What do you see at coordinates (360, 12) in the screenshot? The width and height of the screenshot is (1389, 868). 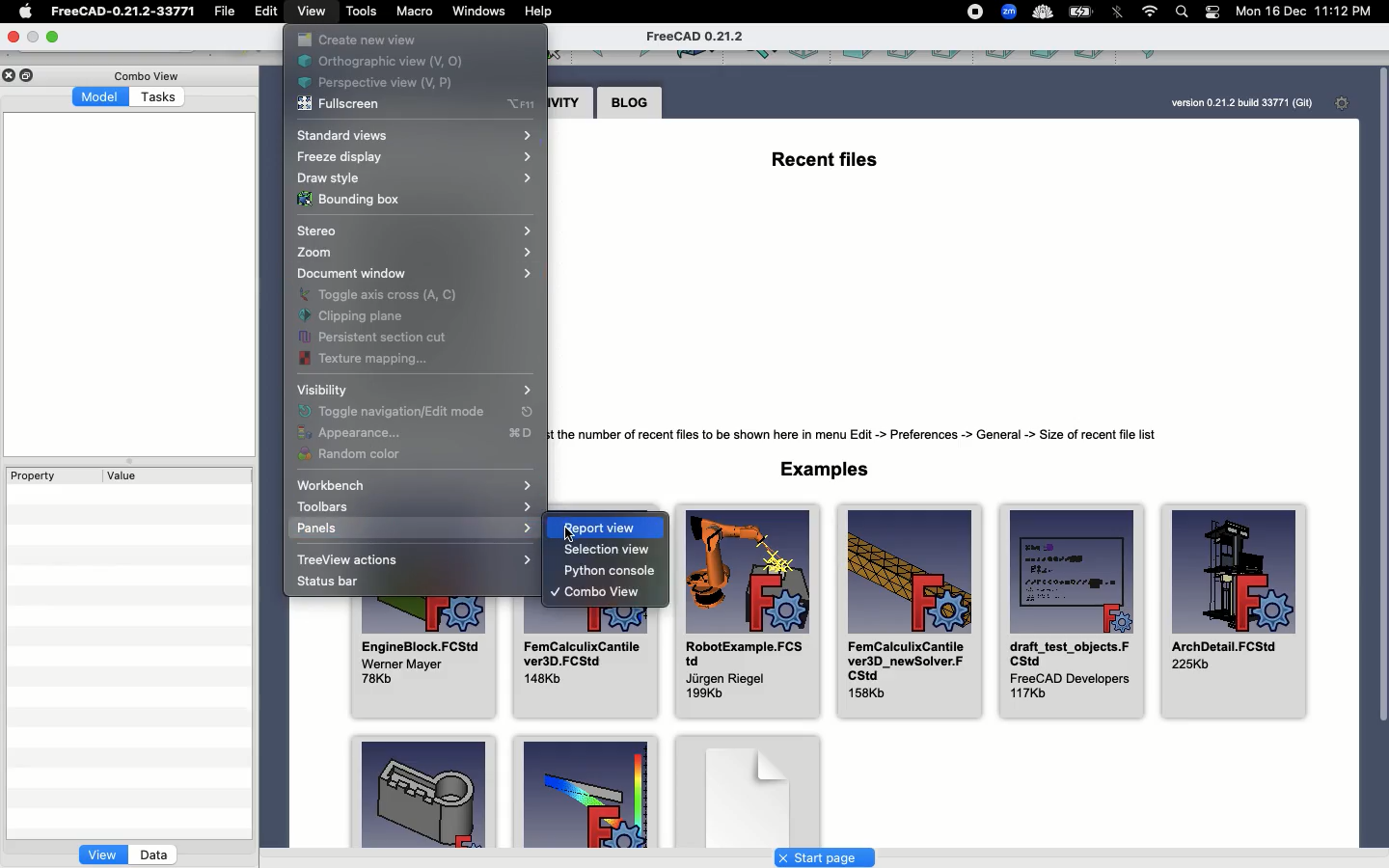 I see `Tools` at bounding box center [360, 12].